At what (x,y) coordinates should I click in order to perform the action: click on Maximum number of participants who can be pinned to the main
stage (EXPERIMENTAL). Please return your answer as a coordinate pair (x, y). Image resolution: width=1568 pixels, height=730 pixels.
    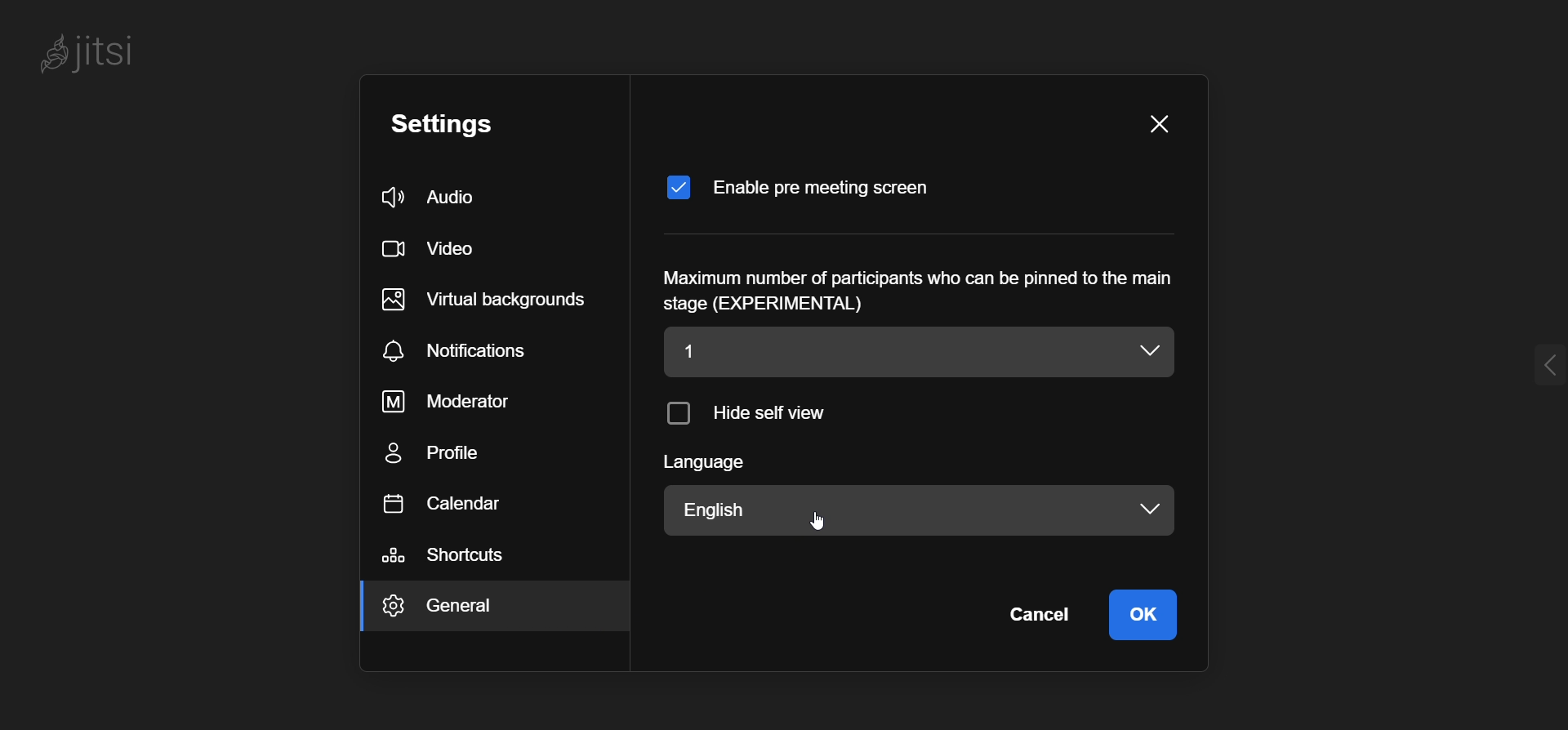
    Looking at the image, I should click on (915, 289).